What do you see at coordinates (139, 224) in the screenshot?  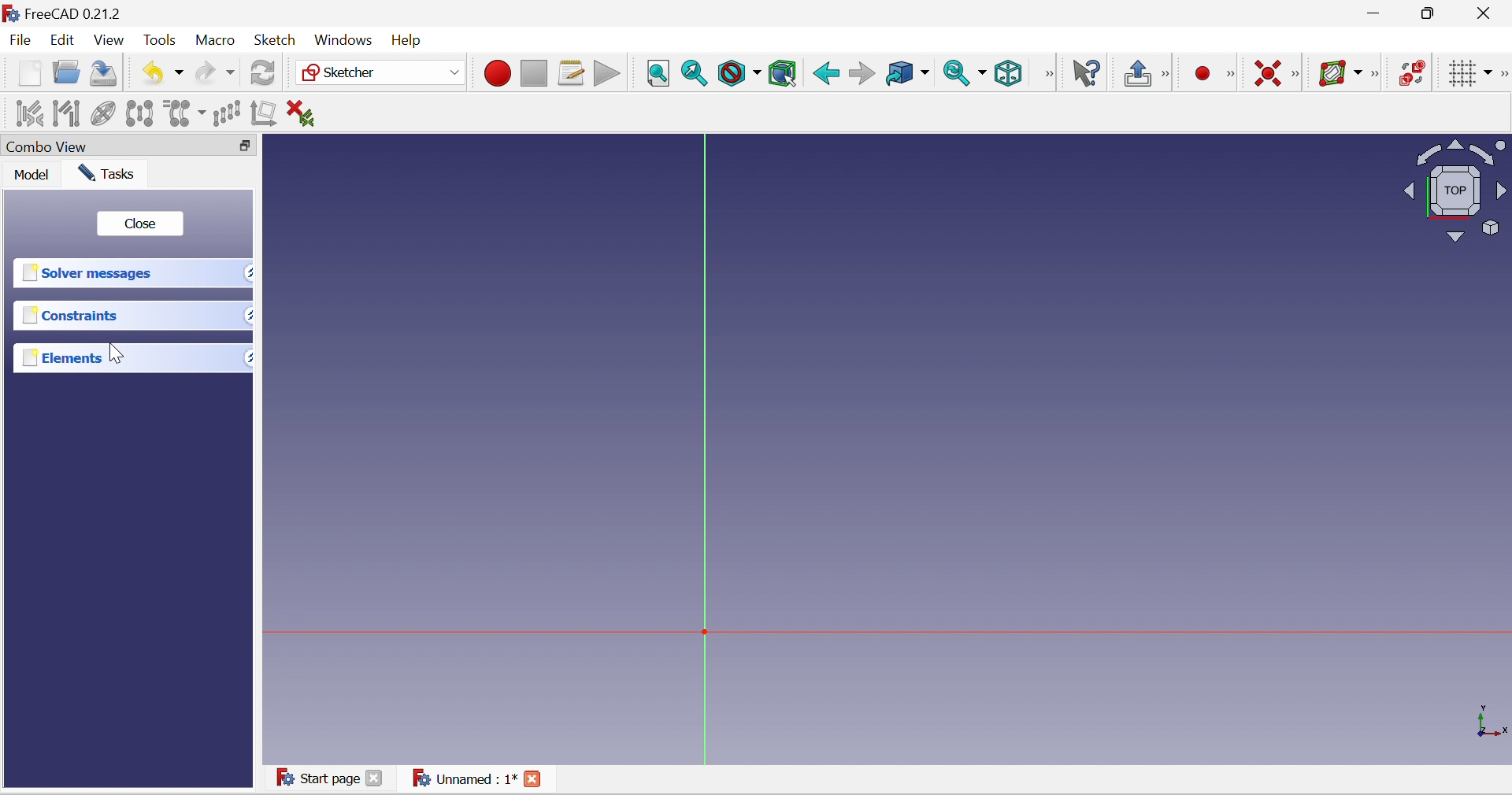 I see `close` at bounding box center [139, 224].